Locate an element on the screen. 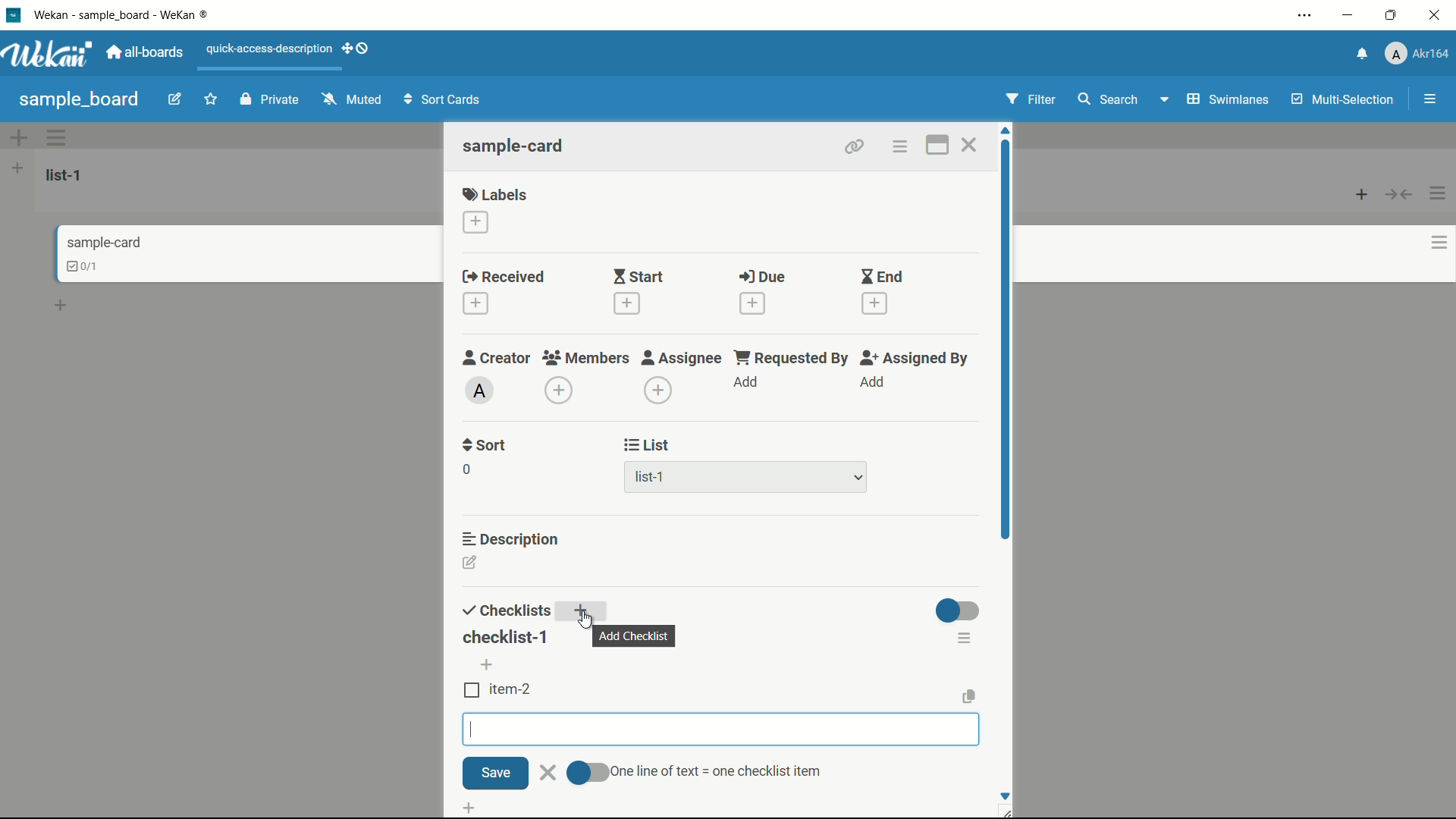 This screenshot has width=1456, height=819. add checklist pop up is located at coordinates (635, 635).